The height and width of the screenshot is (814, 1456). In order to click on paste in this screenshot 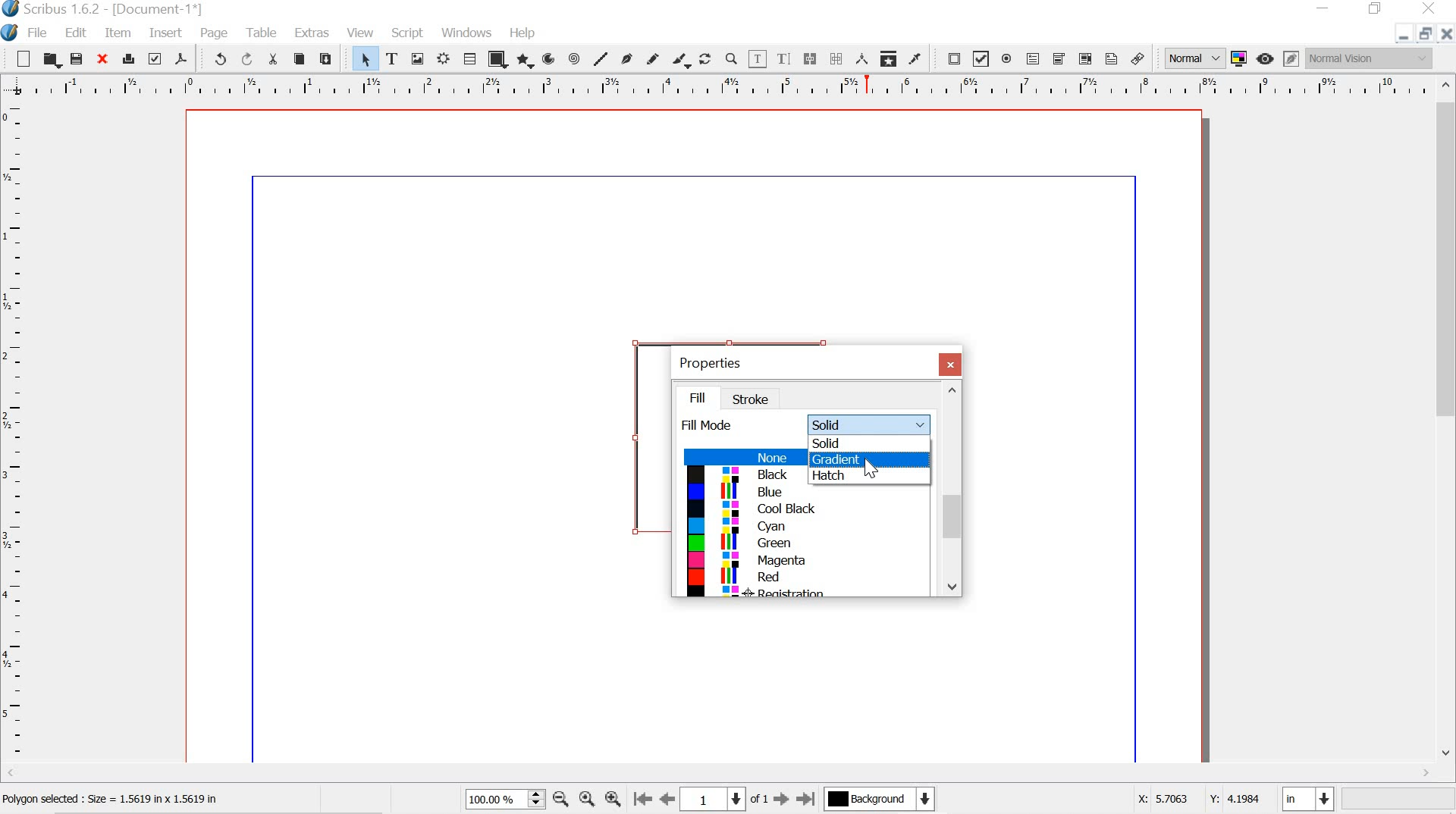, I will do `click(331, 59)`.